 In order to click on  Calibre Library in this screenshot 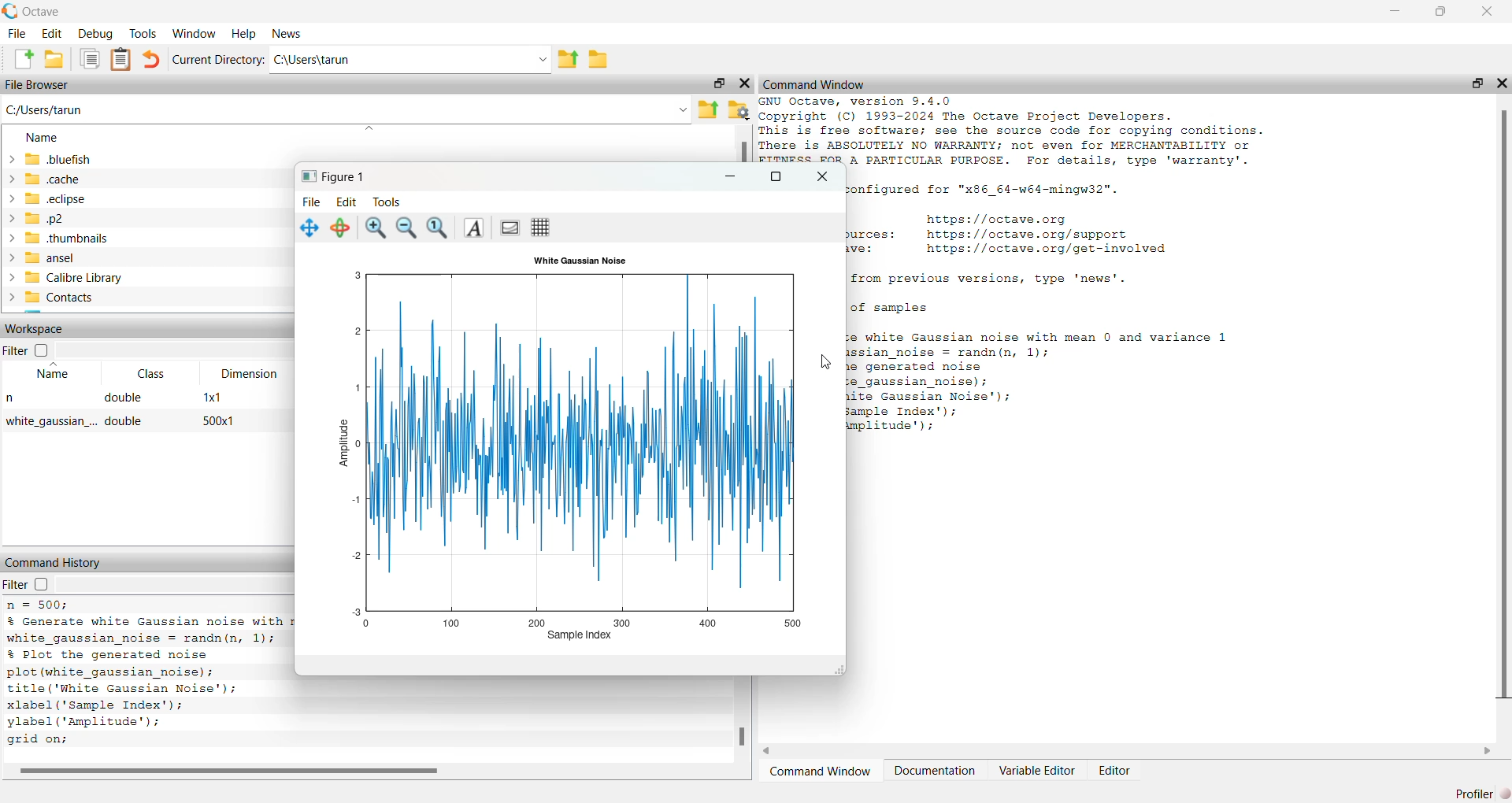, I will do `click(67, 278)`.